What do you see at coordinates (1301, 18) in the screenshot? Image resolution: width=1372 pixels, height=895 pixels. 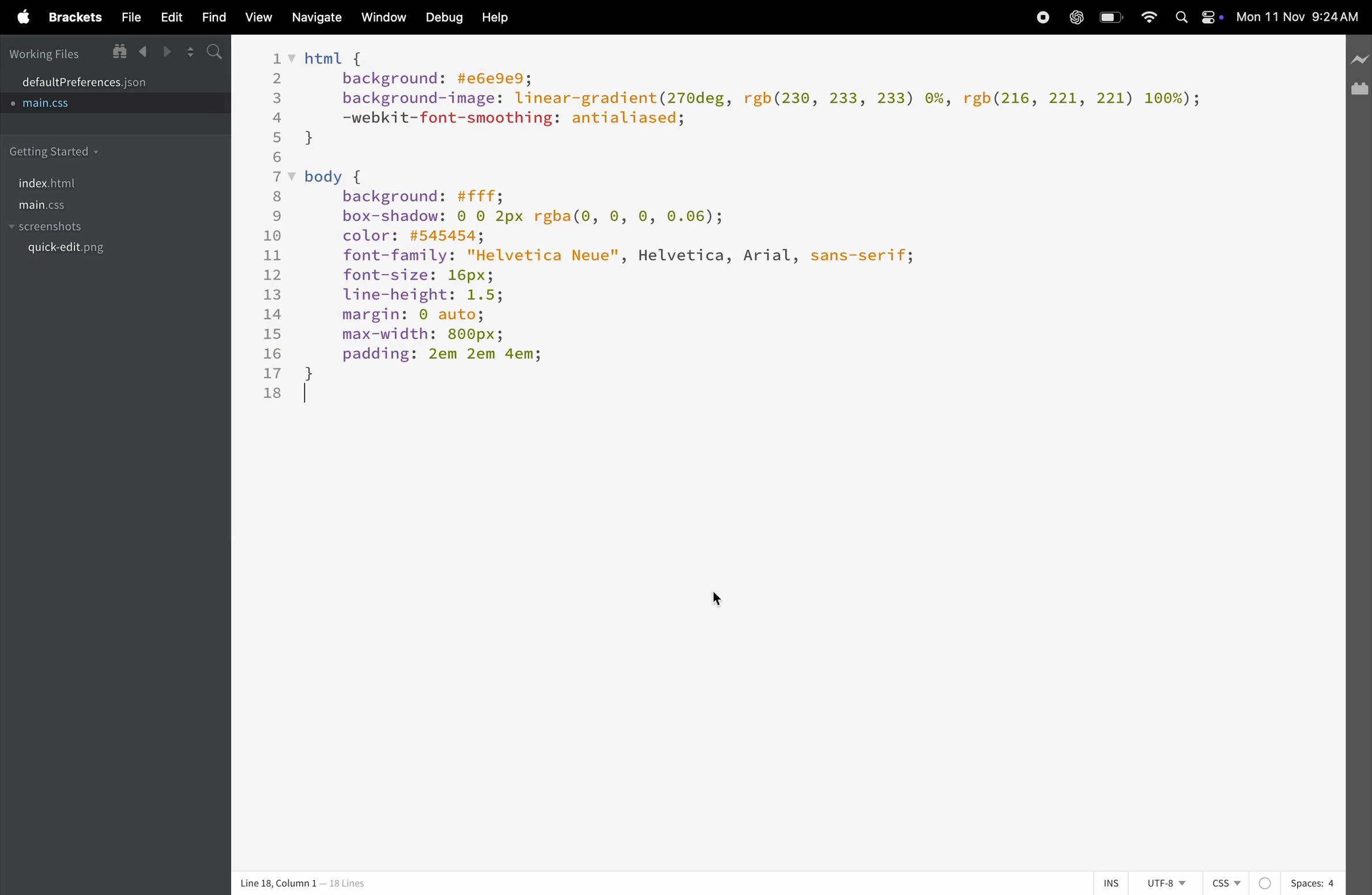 I see `time and date` at bounding box center [1301, 18].